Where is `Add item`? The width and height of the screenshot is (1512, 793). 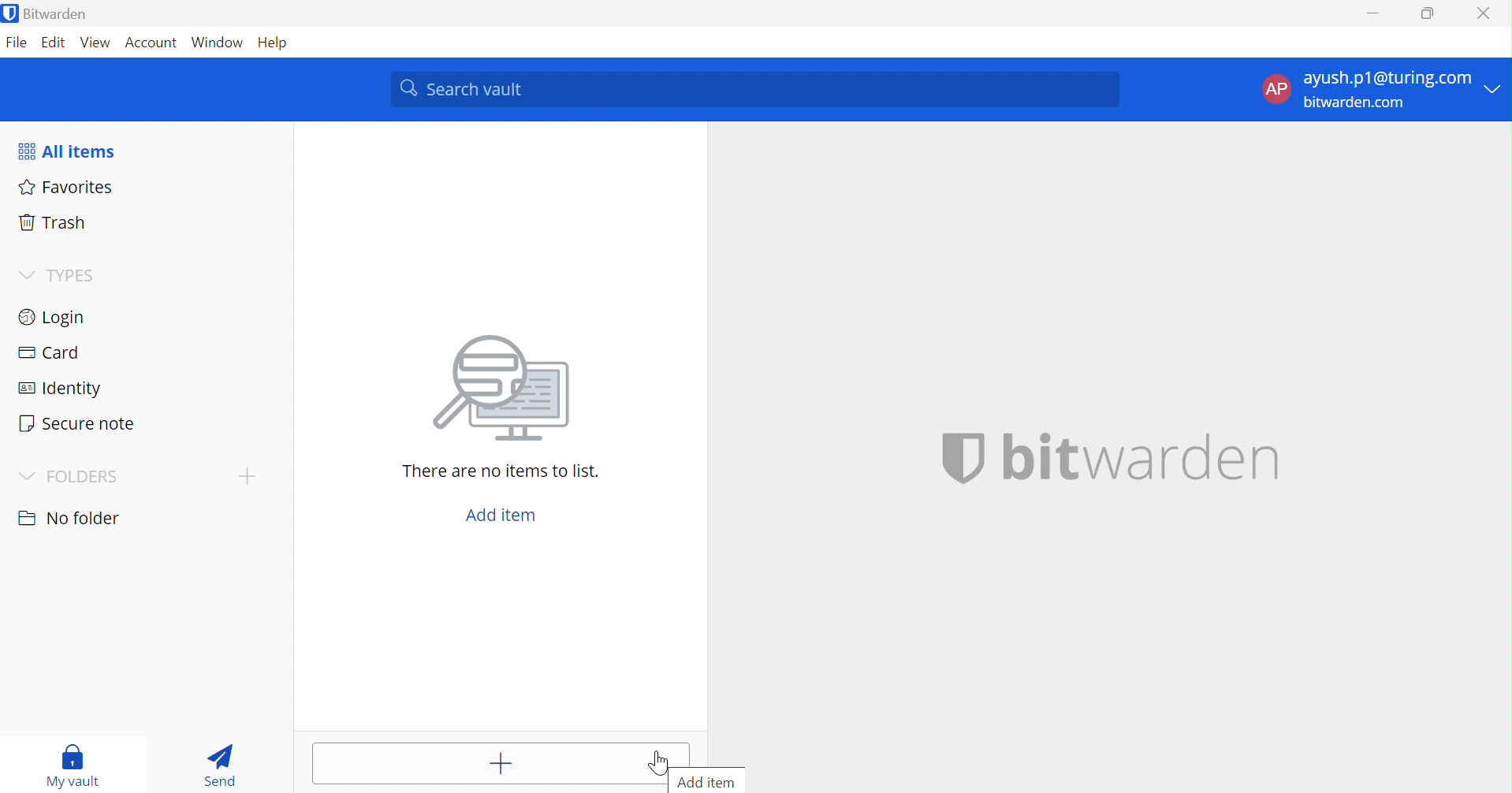 Add item is located at coordinates (473, 763).